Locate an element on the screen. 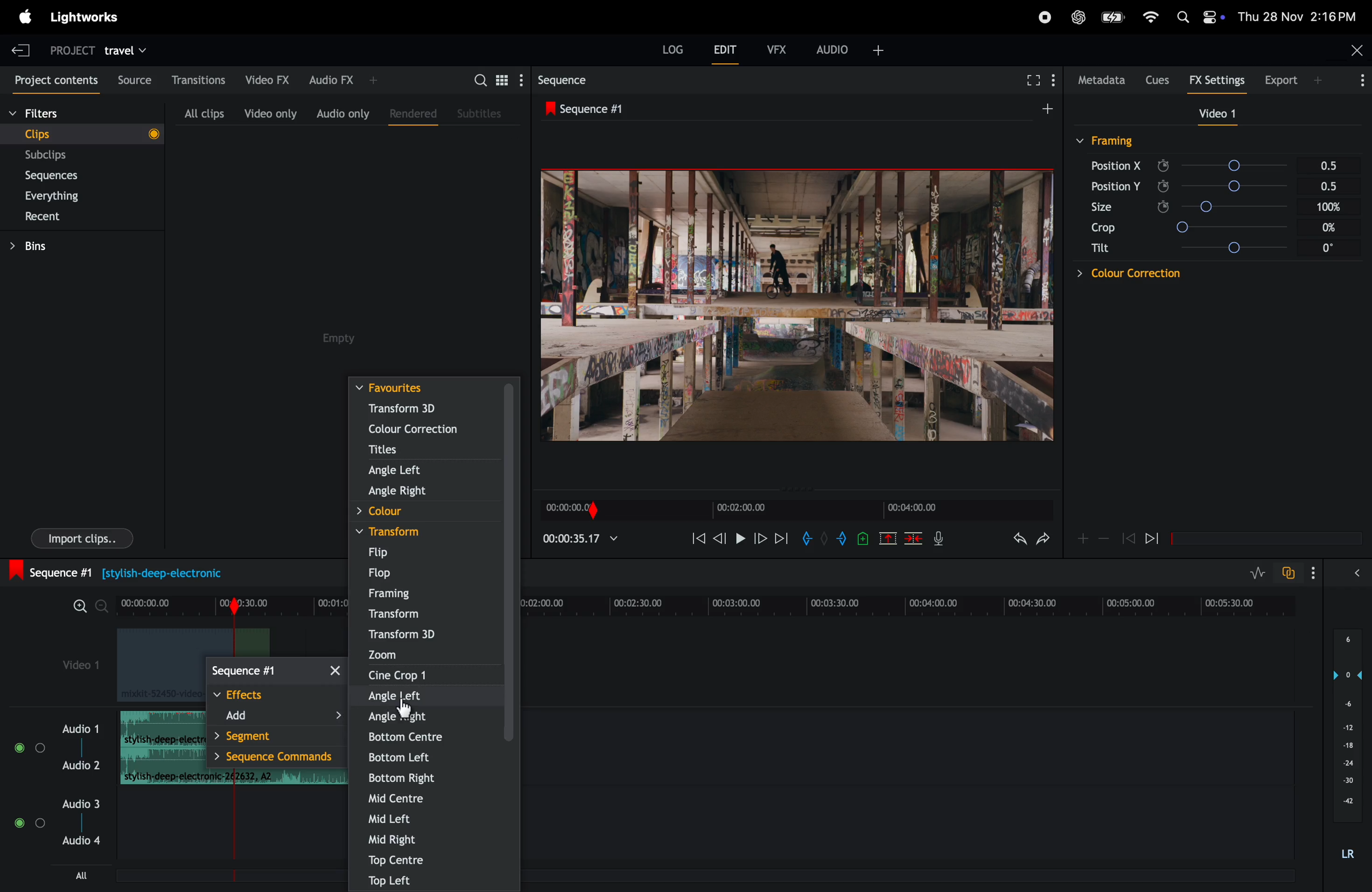 This screenshot has width=1372, height=892. options is located at coordinates (1360, 572).